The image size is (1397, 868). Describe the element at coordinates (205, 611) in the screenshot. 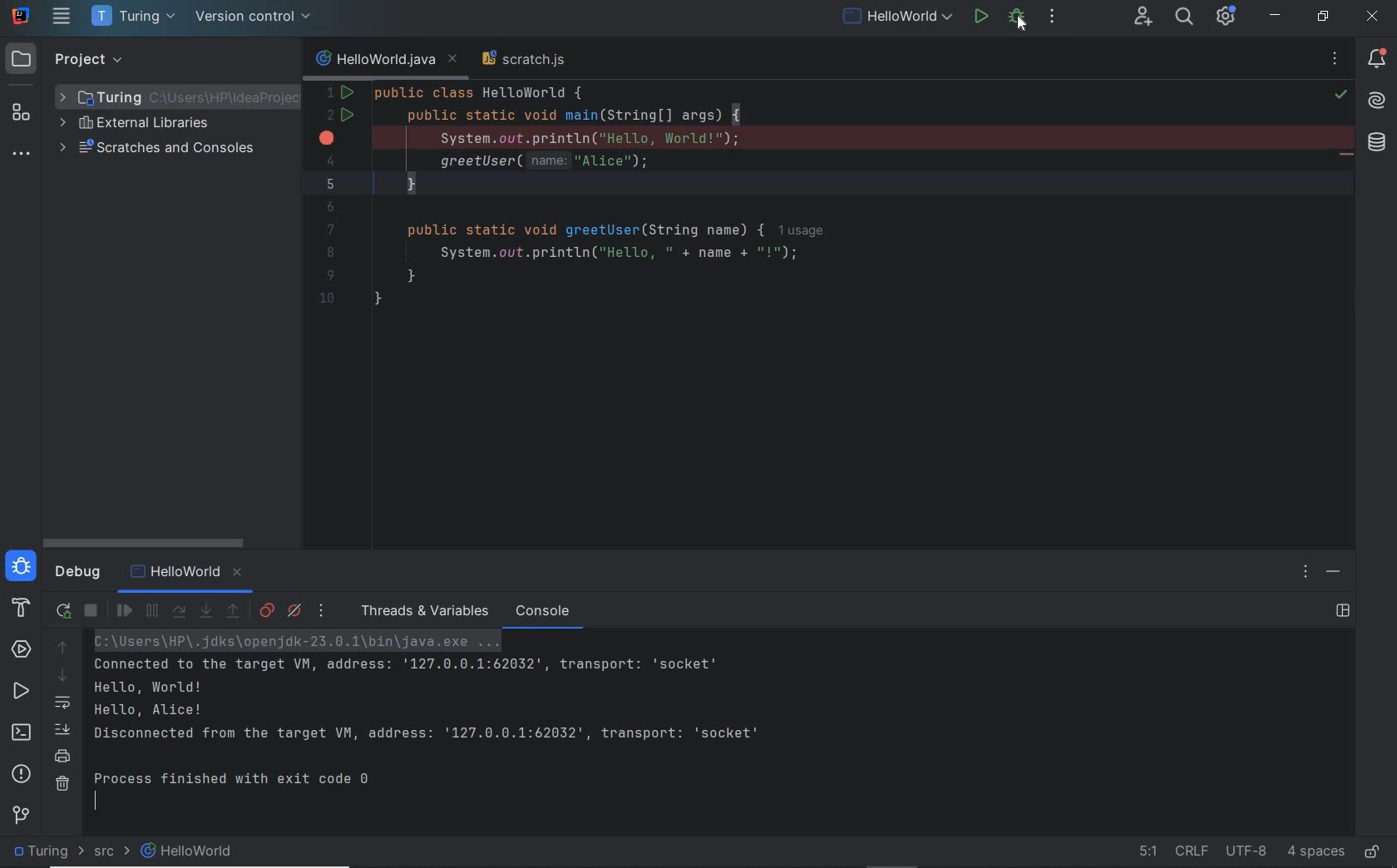

I see `step into` at that location.